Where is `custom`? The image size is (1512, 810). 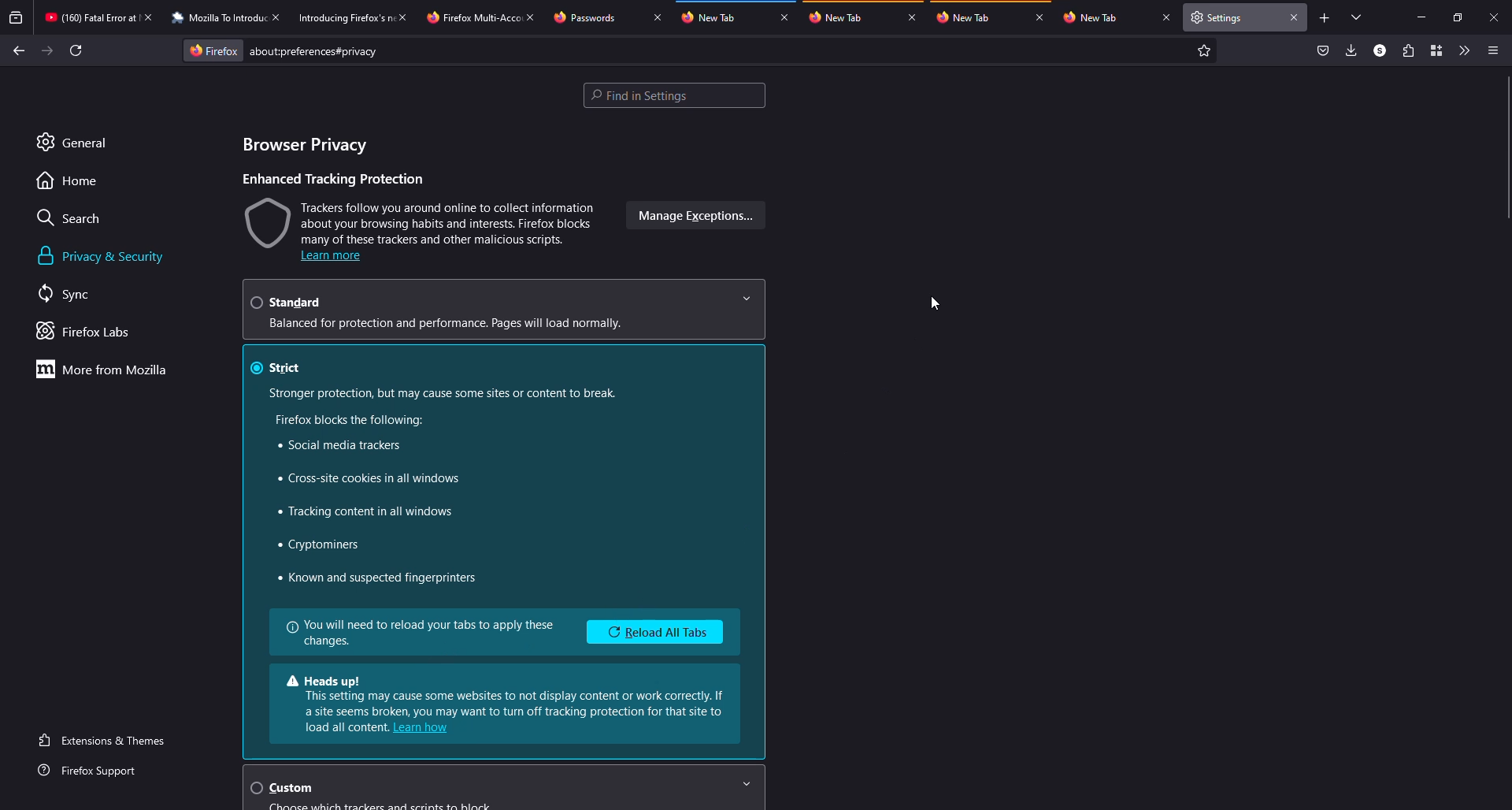
custom is located at coordinates (291, 789).